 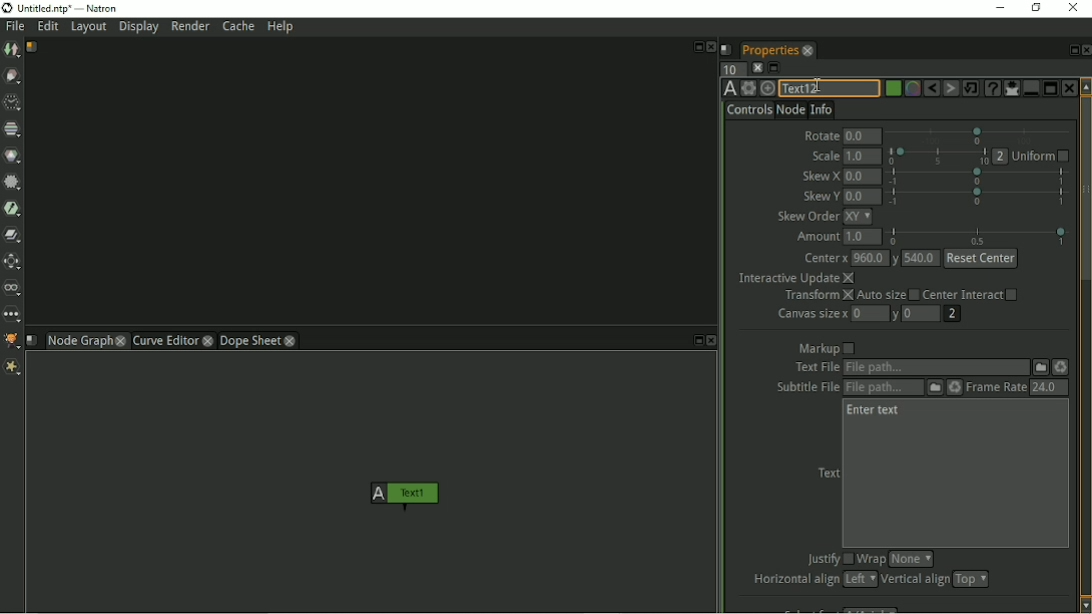 What do you see at coordinates (14, 289) in the screenshot?
I see `Views` at bounding box center [14, 289].